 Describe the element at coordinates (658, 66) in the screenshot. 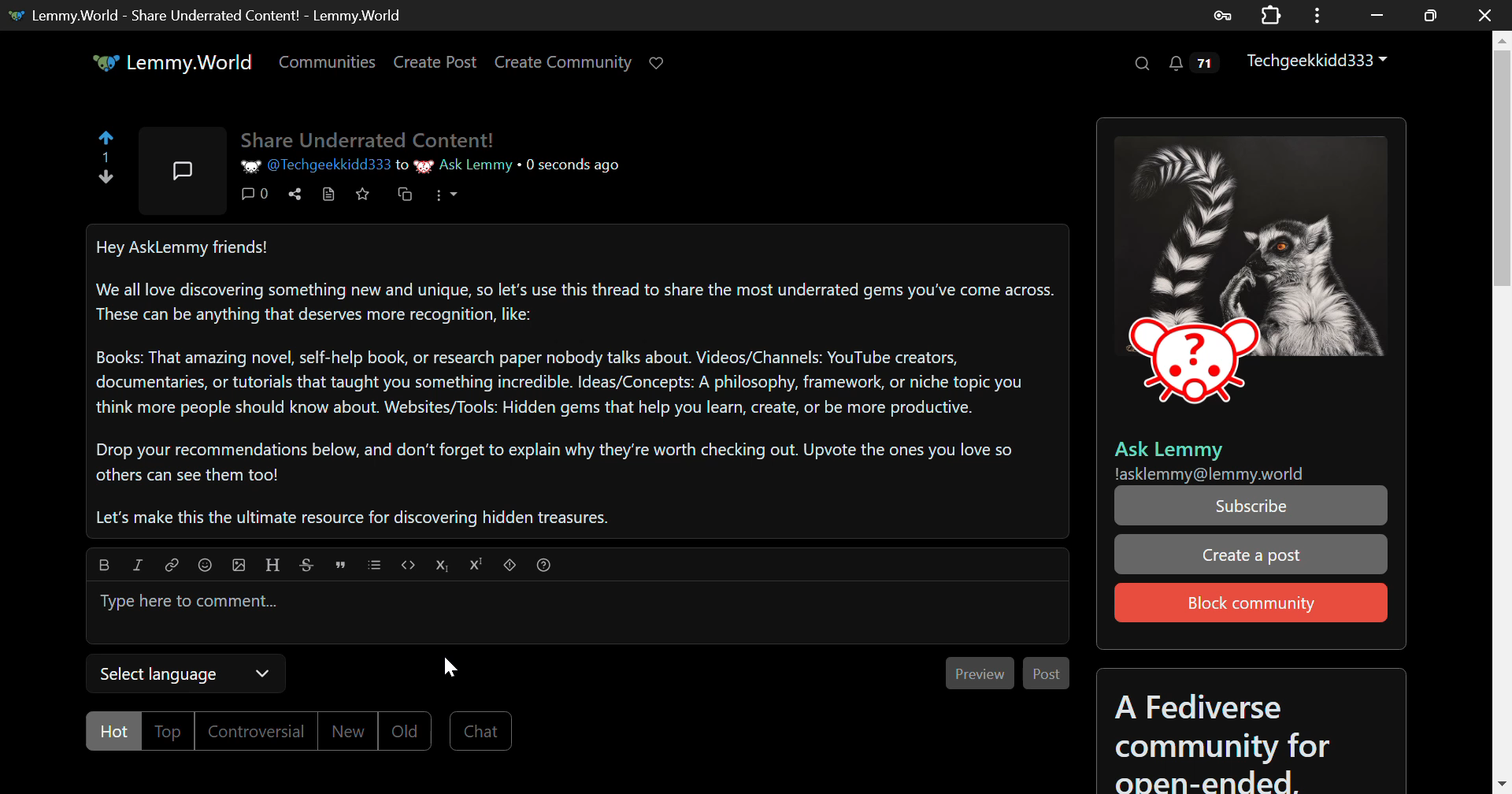

I see `Donate` at that location.